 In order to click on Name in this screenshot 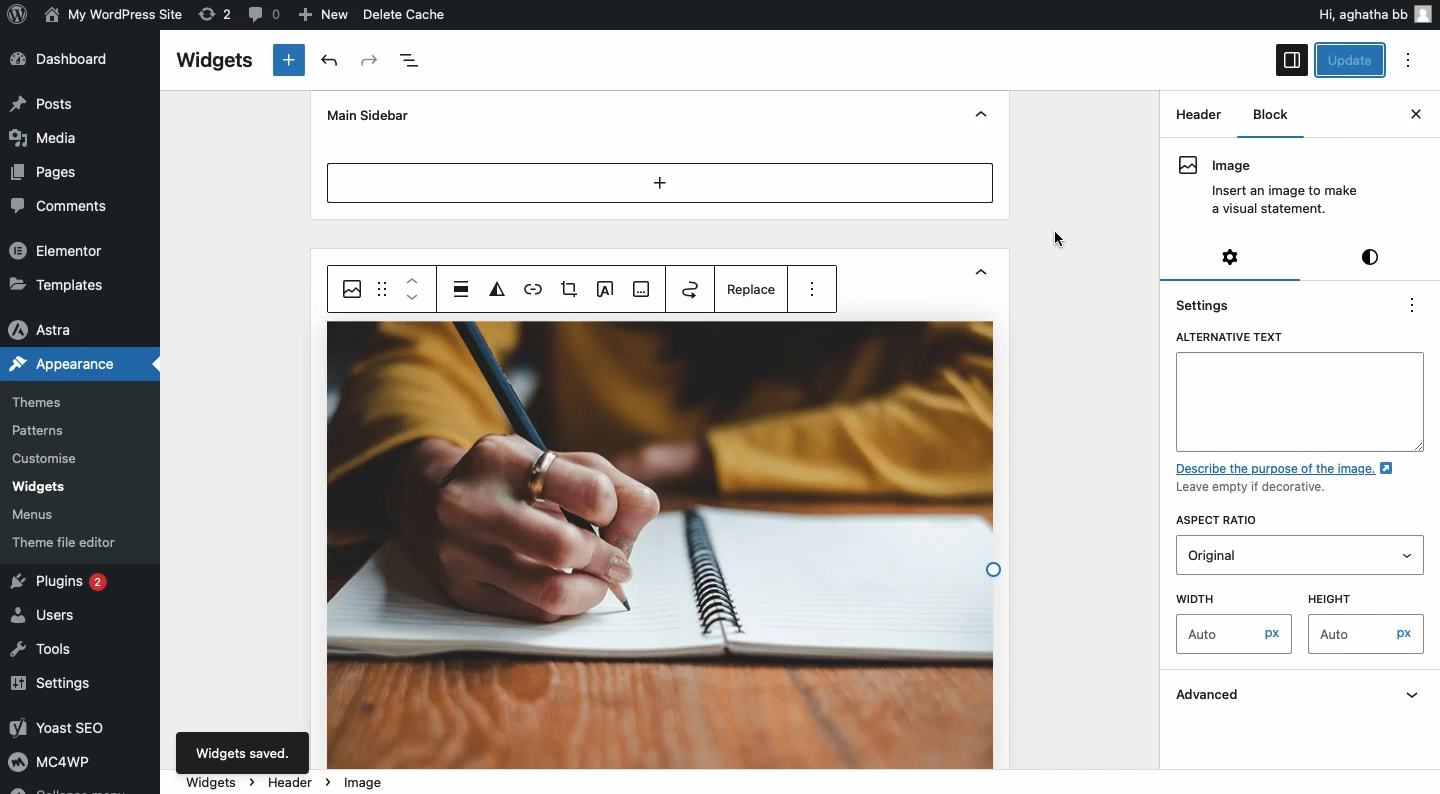, I will do `click(116, 13)`.